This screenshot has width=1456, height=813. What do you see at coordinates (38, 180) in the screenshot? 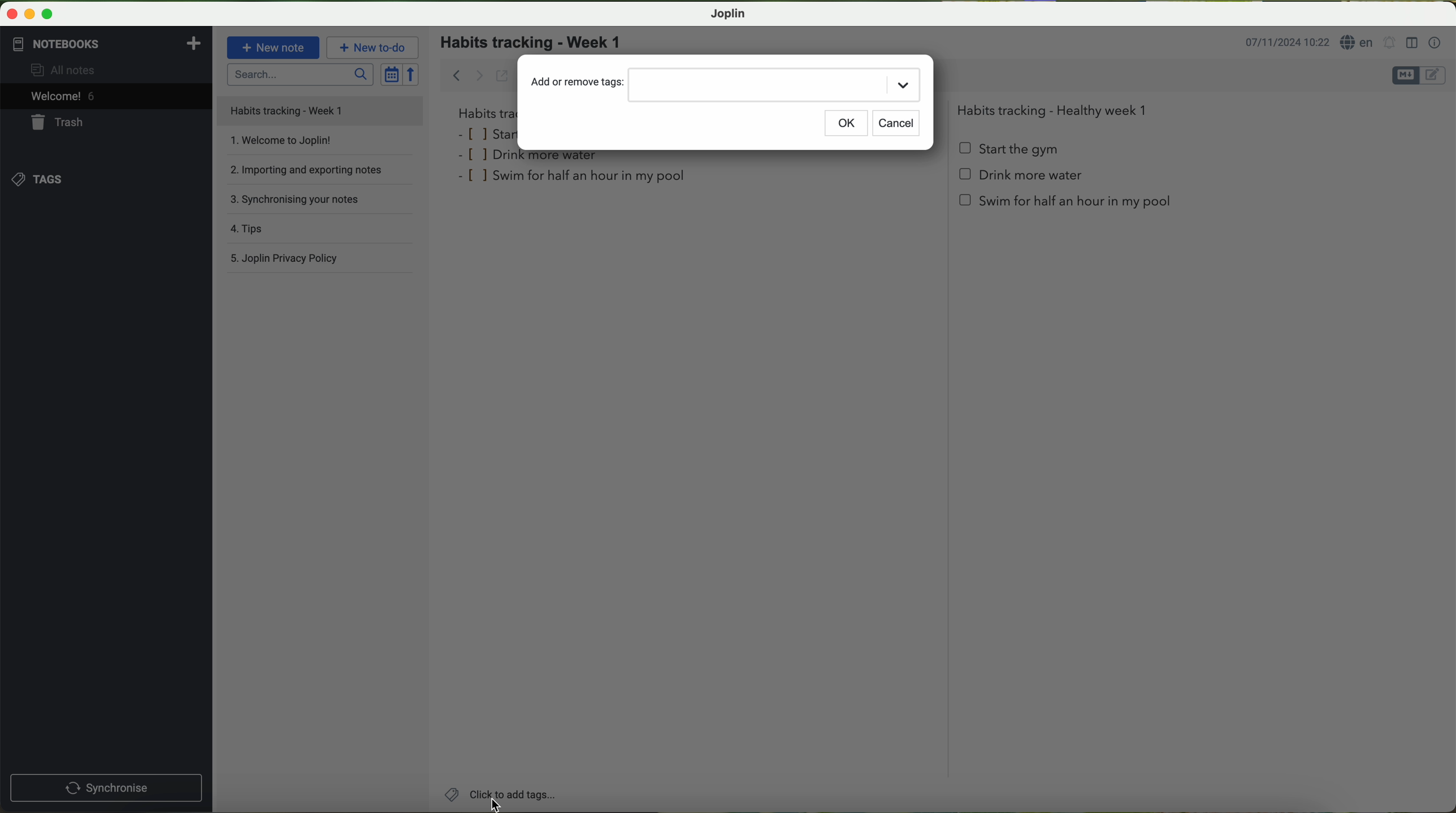
I see `tags` at bounding box center [38, 180].